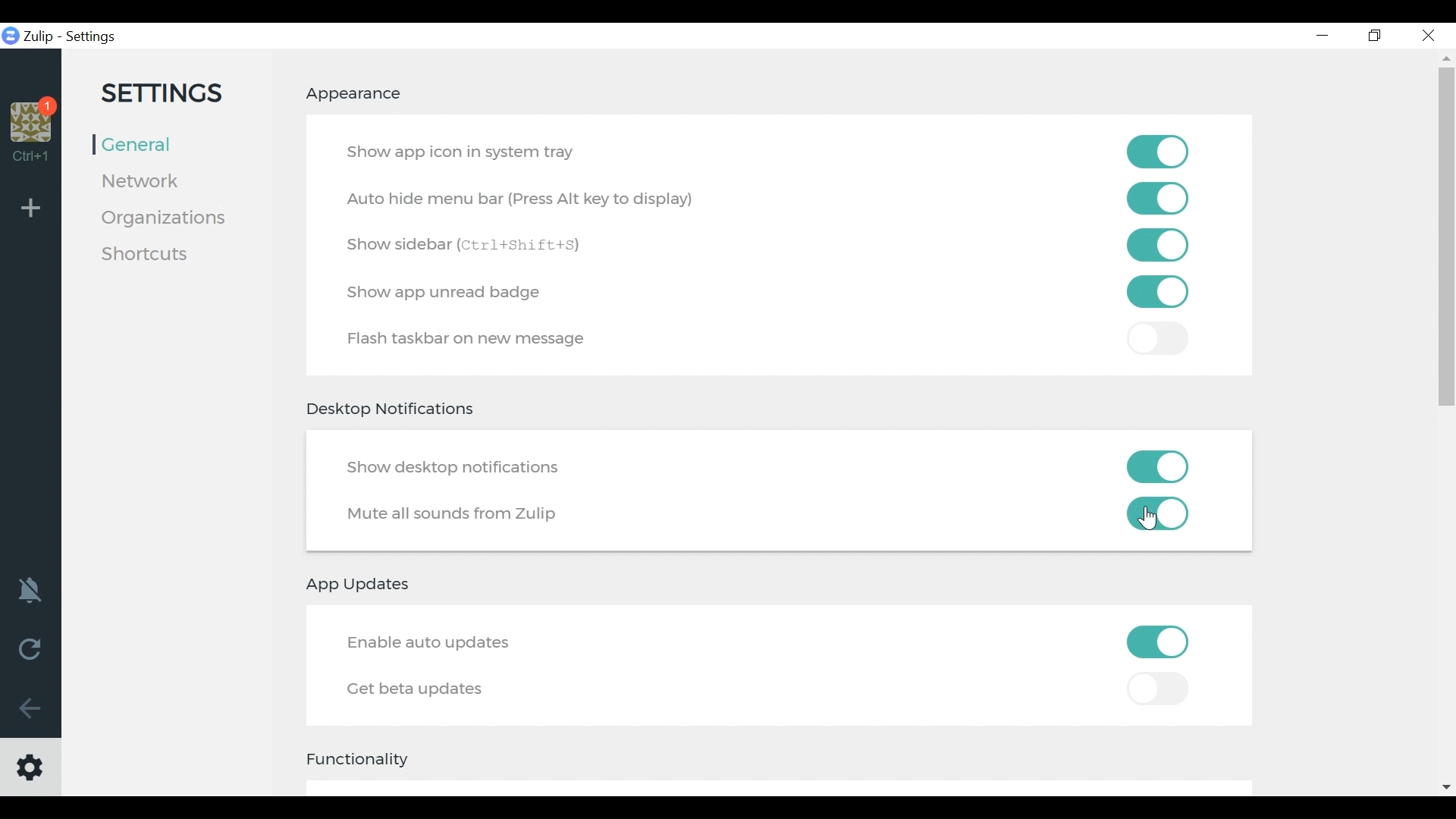  I want to click on Desktop Notifications, so click(393, 411).